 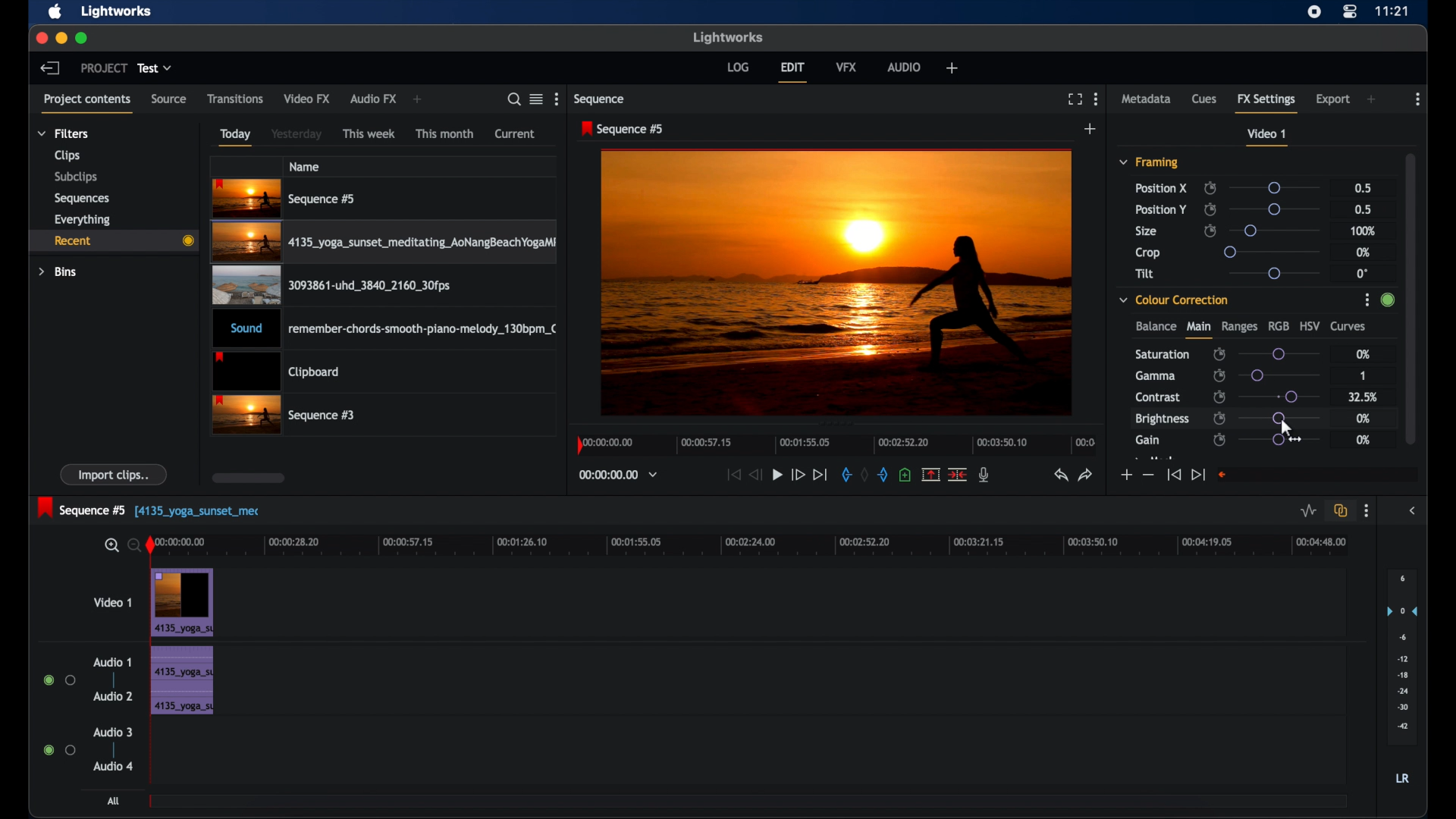 I want to click on 32.5%, so click(x=1364, y=397).